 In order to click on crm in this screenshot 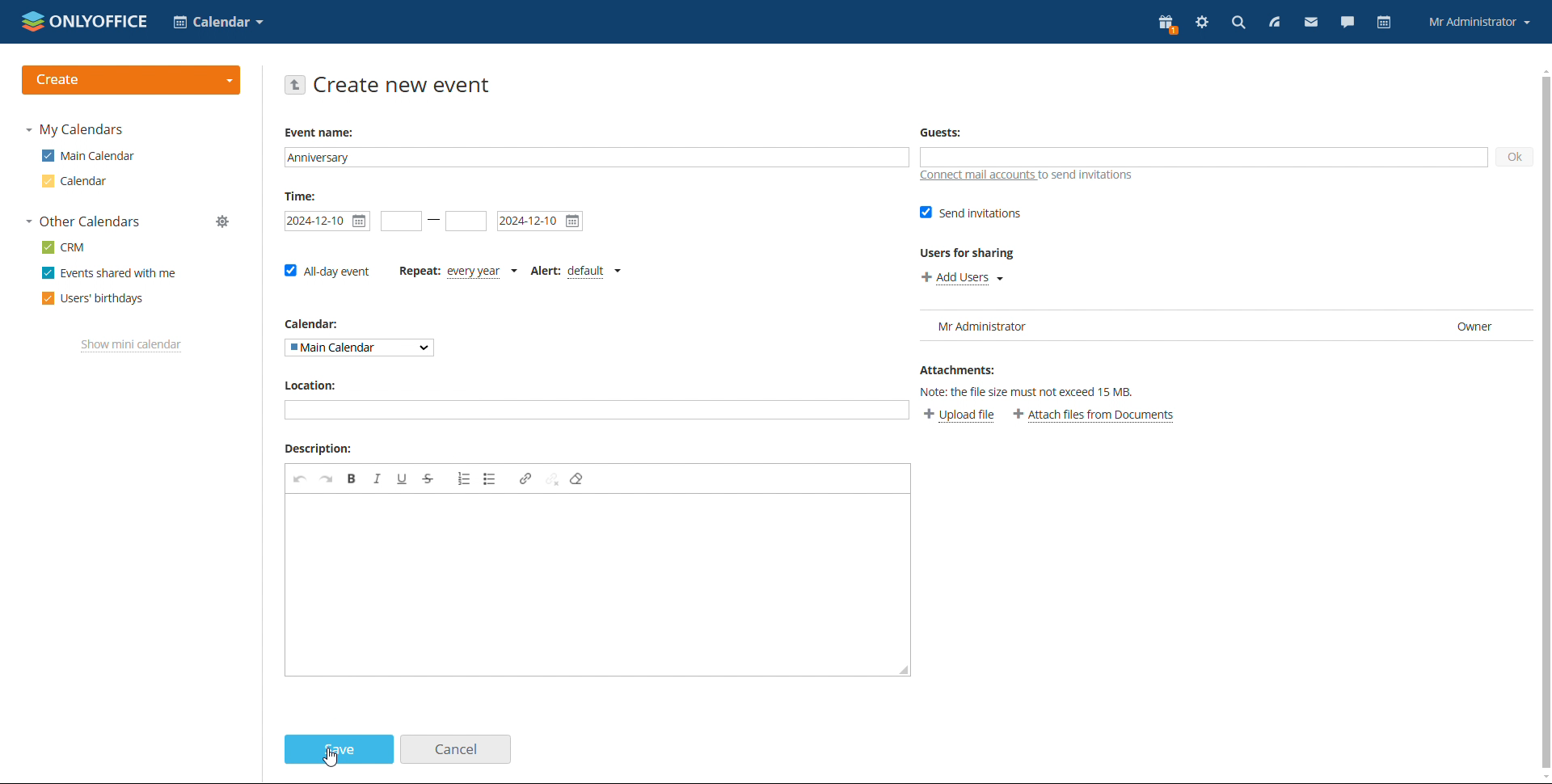, I will do `click(64, 247)`.